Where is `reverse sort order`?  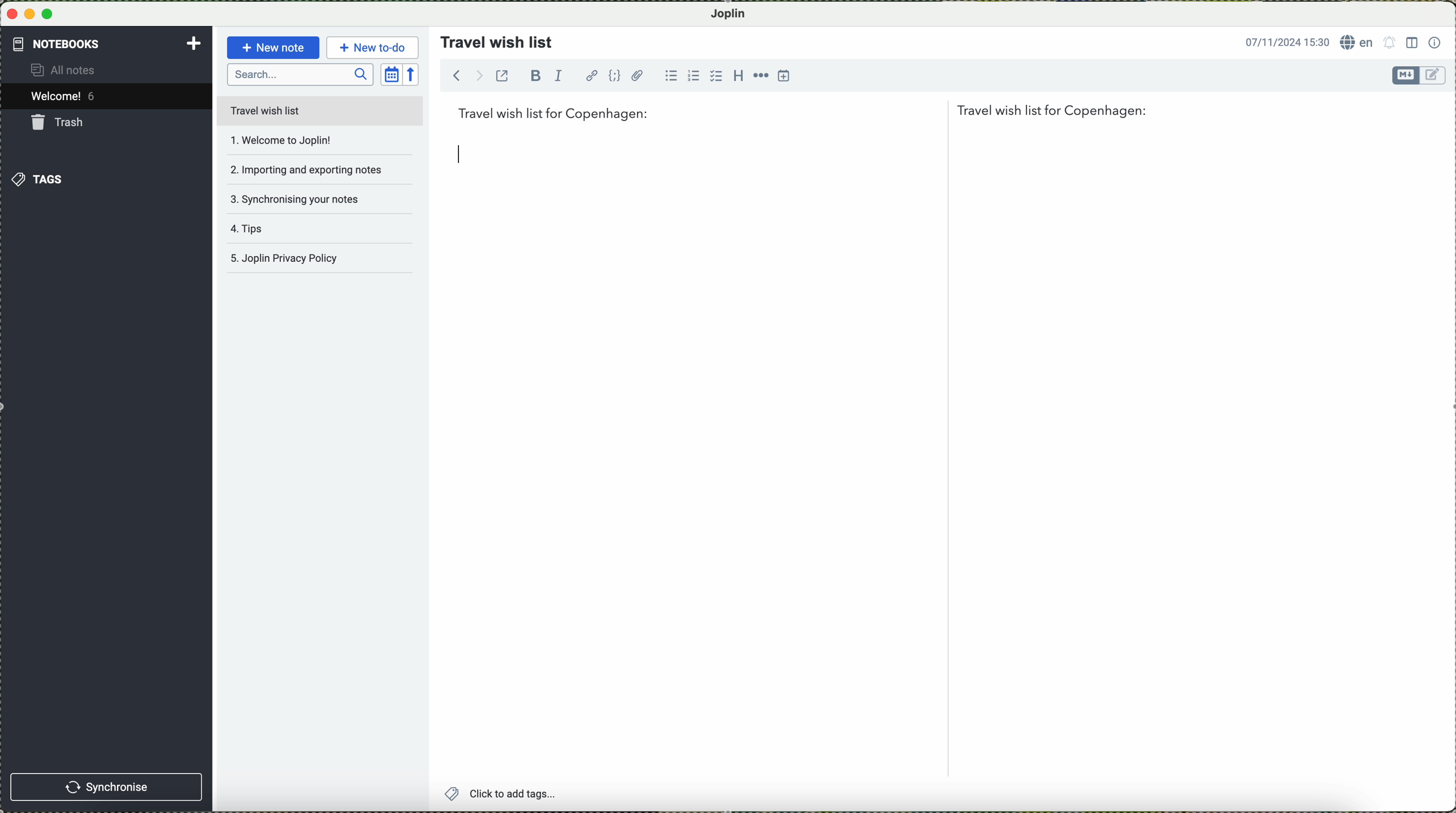
reverse sort order is located at coordinates (414, 73).